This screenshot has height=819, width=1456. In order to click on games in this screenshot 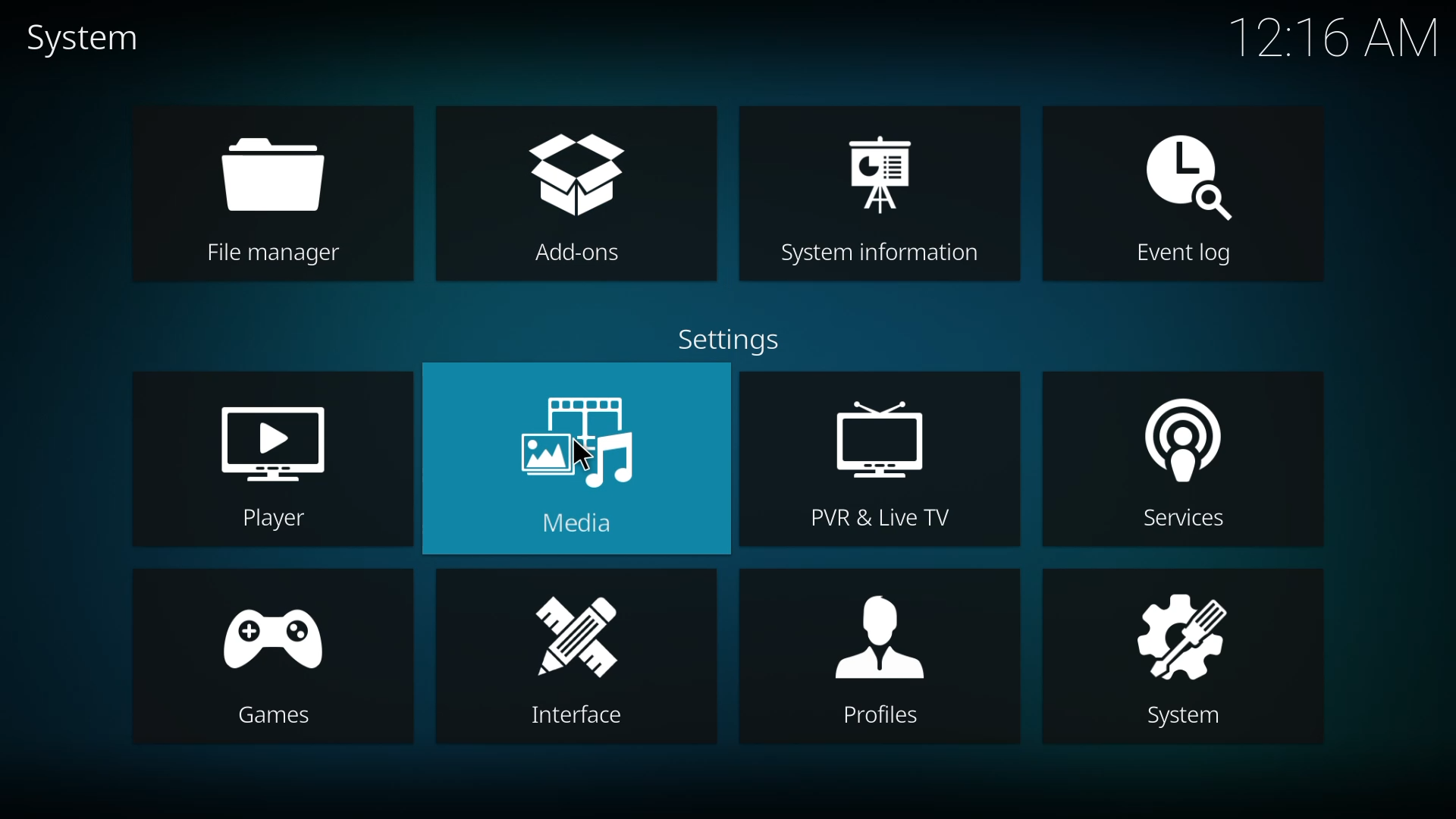, I will do `click(273, 639)`.